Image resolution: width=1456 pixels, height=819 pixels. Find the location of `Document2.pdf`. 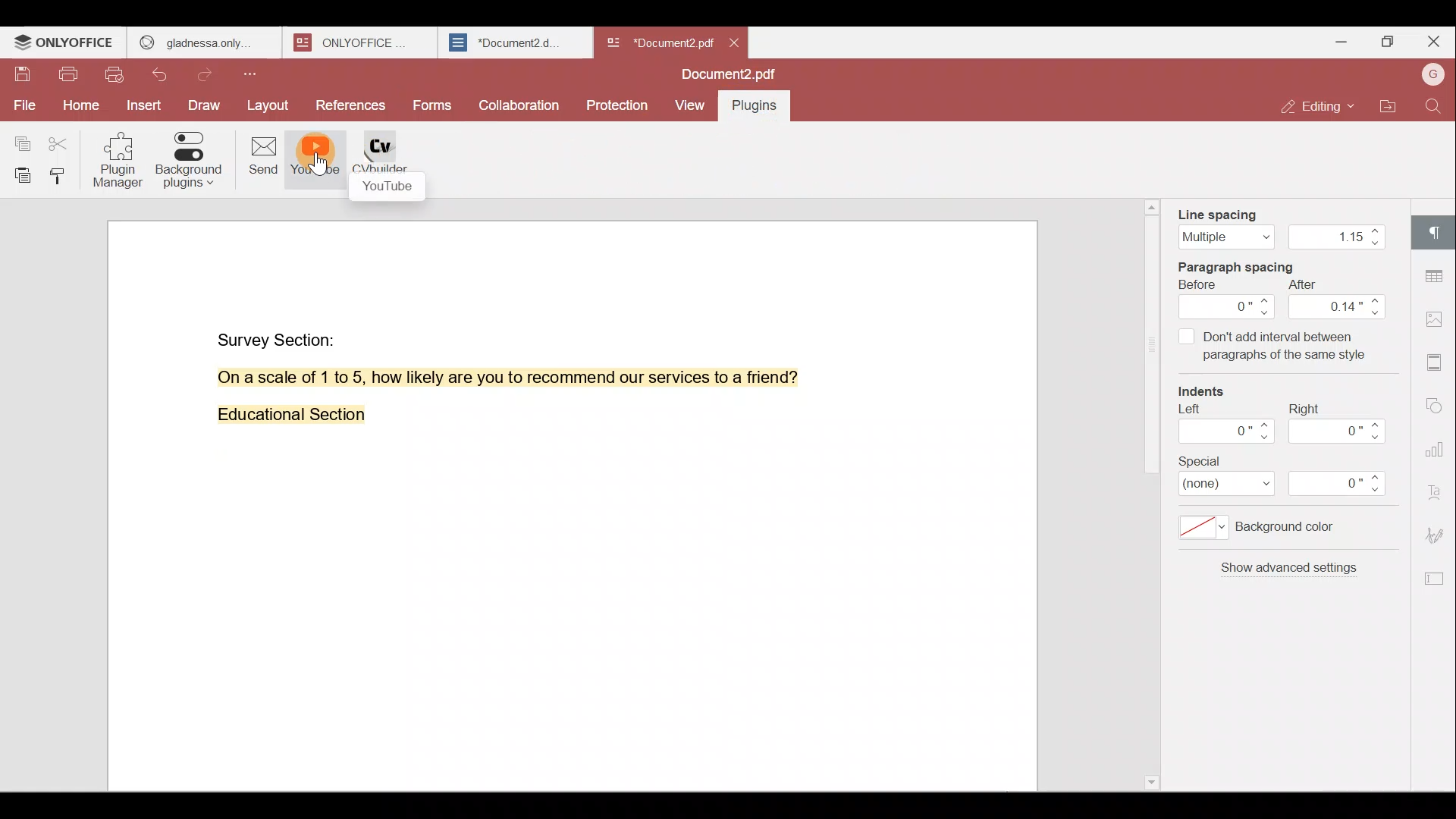

Document2.pdf is located at coordinates (657, 42).